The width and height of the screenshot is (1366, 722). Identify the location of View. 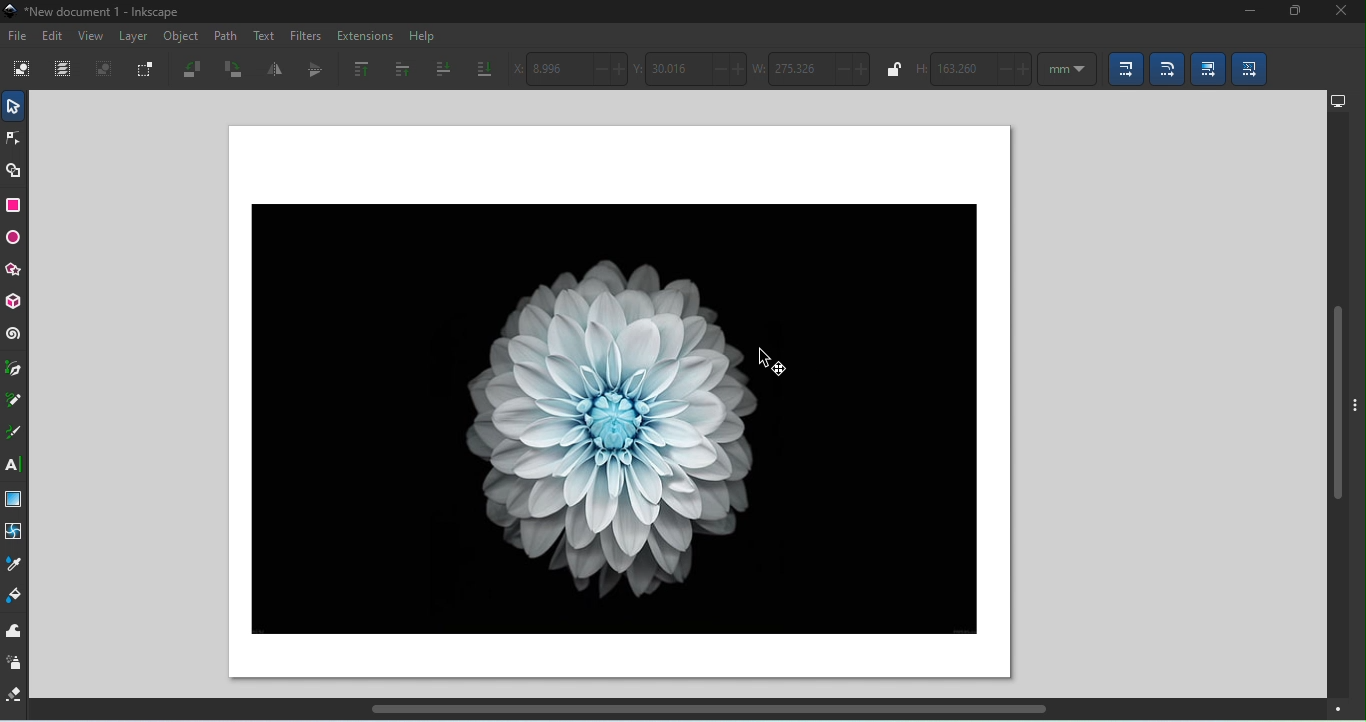
(91, 39).